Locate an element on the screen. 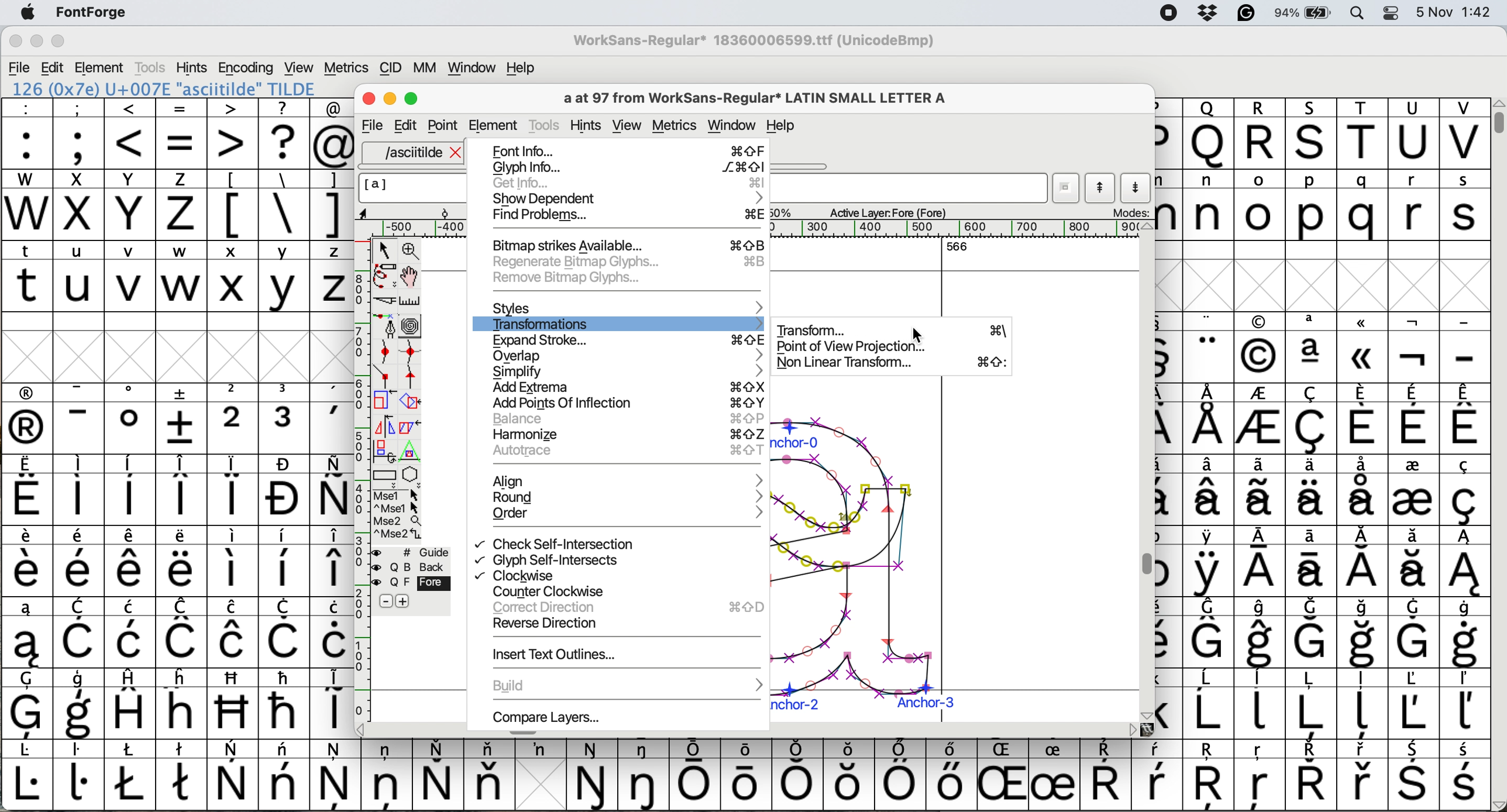  vertical scale is located at coordinates (361, 466).